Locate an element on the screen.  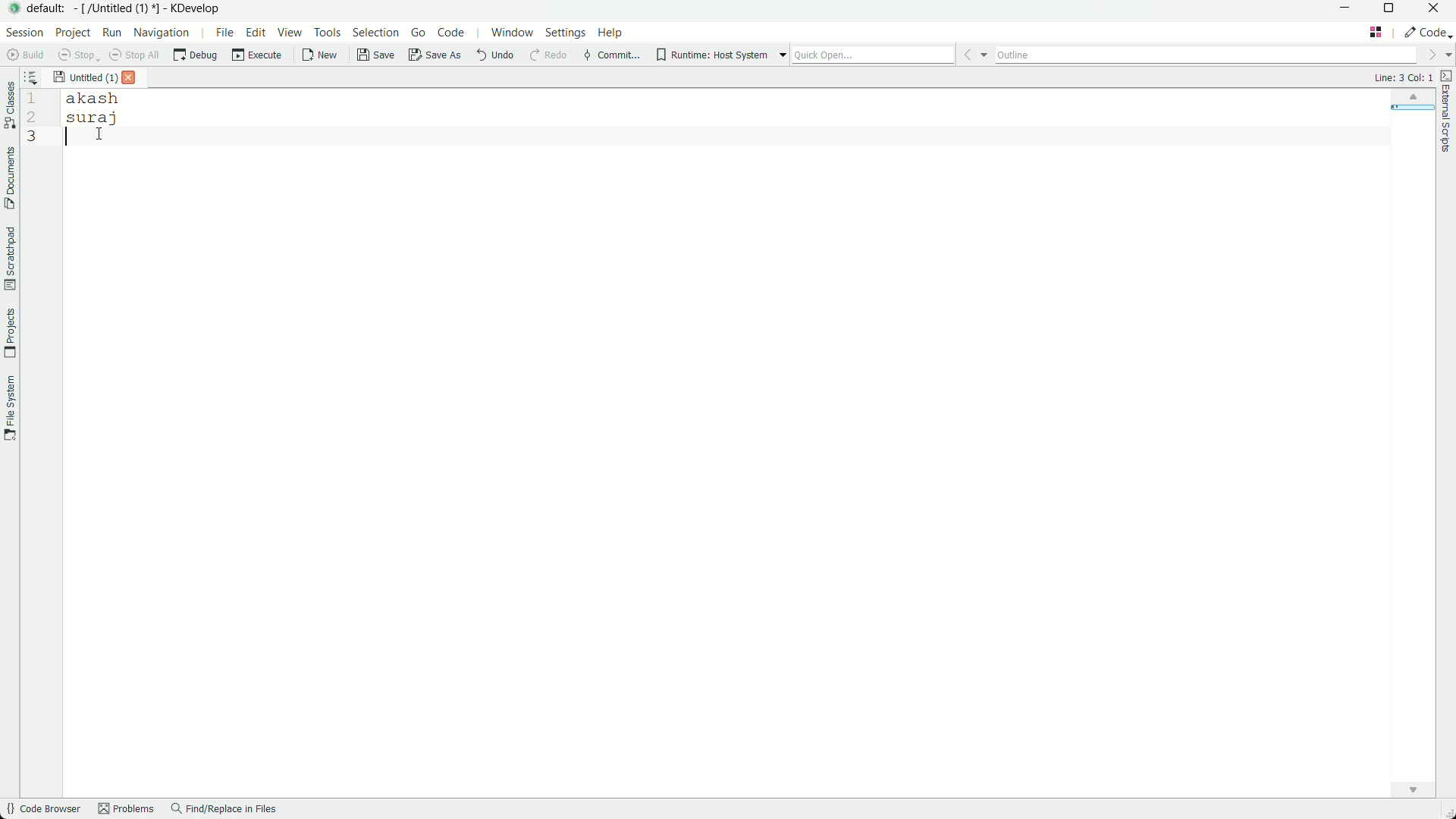
zoomed in code - akash suraj is located at coordinates (104, 108).